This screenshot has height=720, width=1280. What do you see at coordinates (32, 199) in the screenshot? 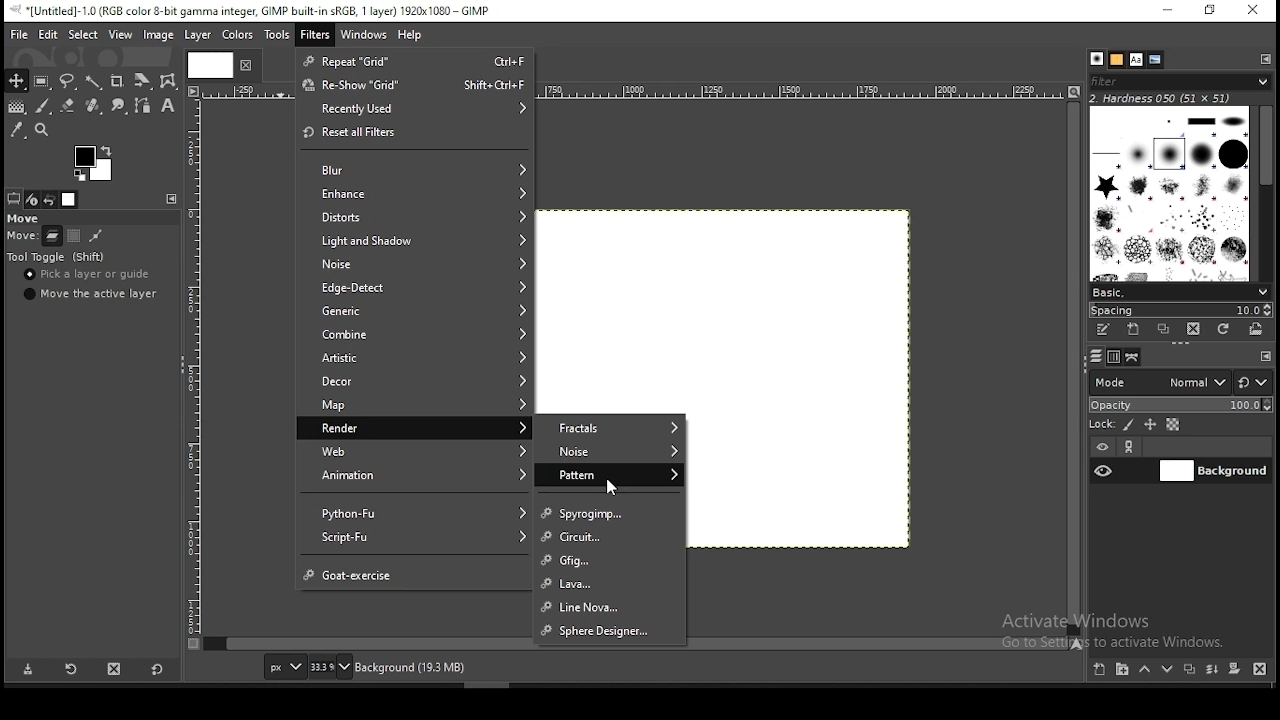
I see `device status` at bounding box center [32, 199].